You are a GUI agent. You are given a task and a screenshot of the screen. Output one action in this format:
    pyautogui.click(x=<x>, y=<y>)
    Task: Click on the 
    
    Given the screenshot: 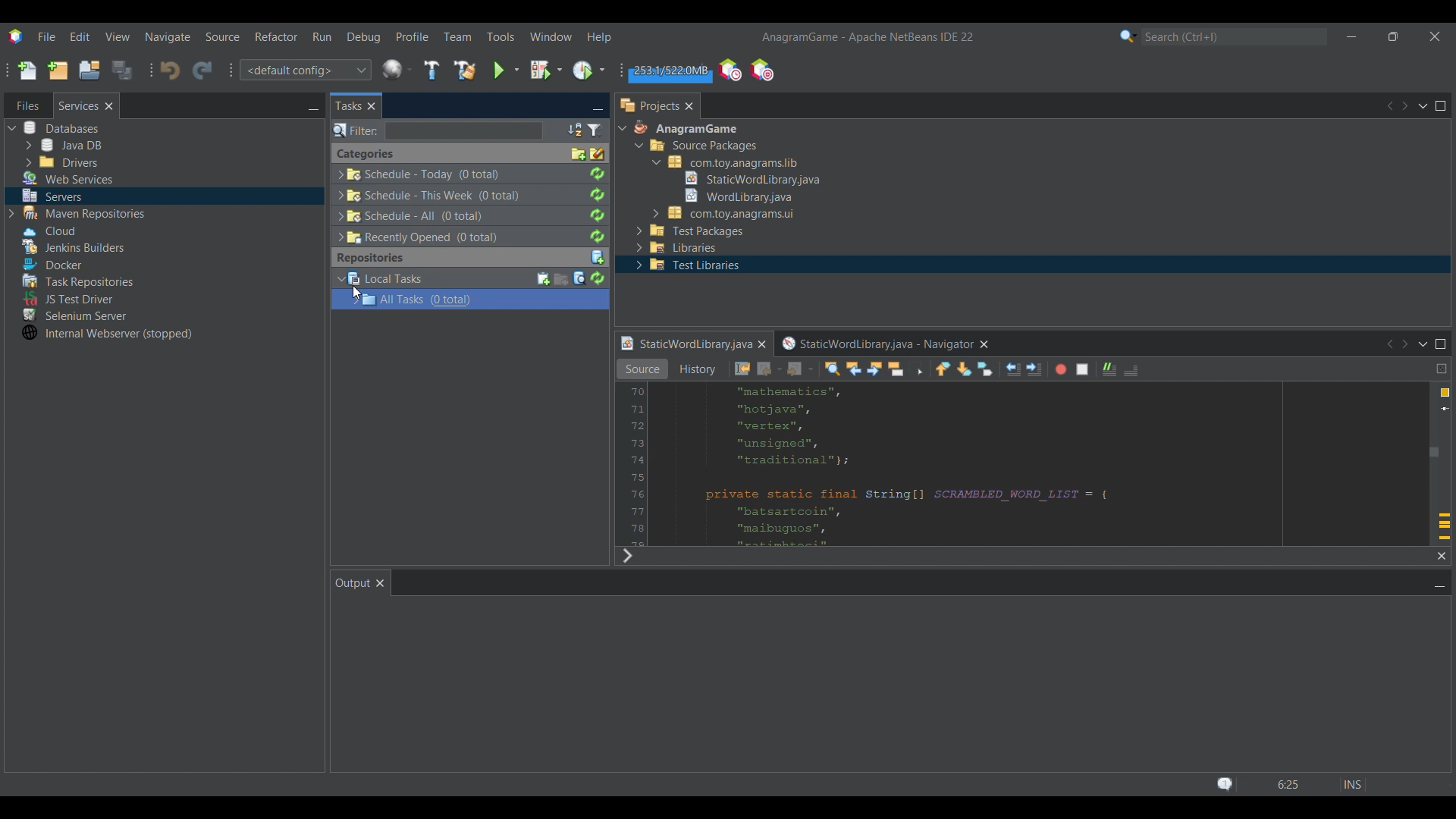 What is the action you would take?
    pyautogui.click(x=767, y=369)
    